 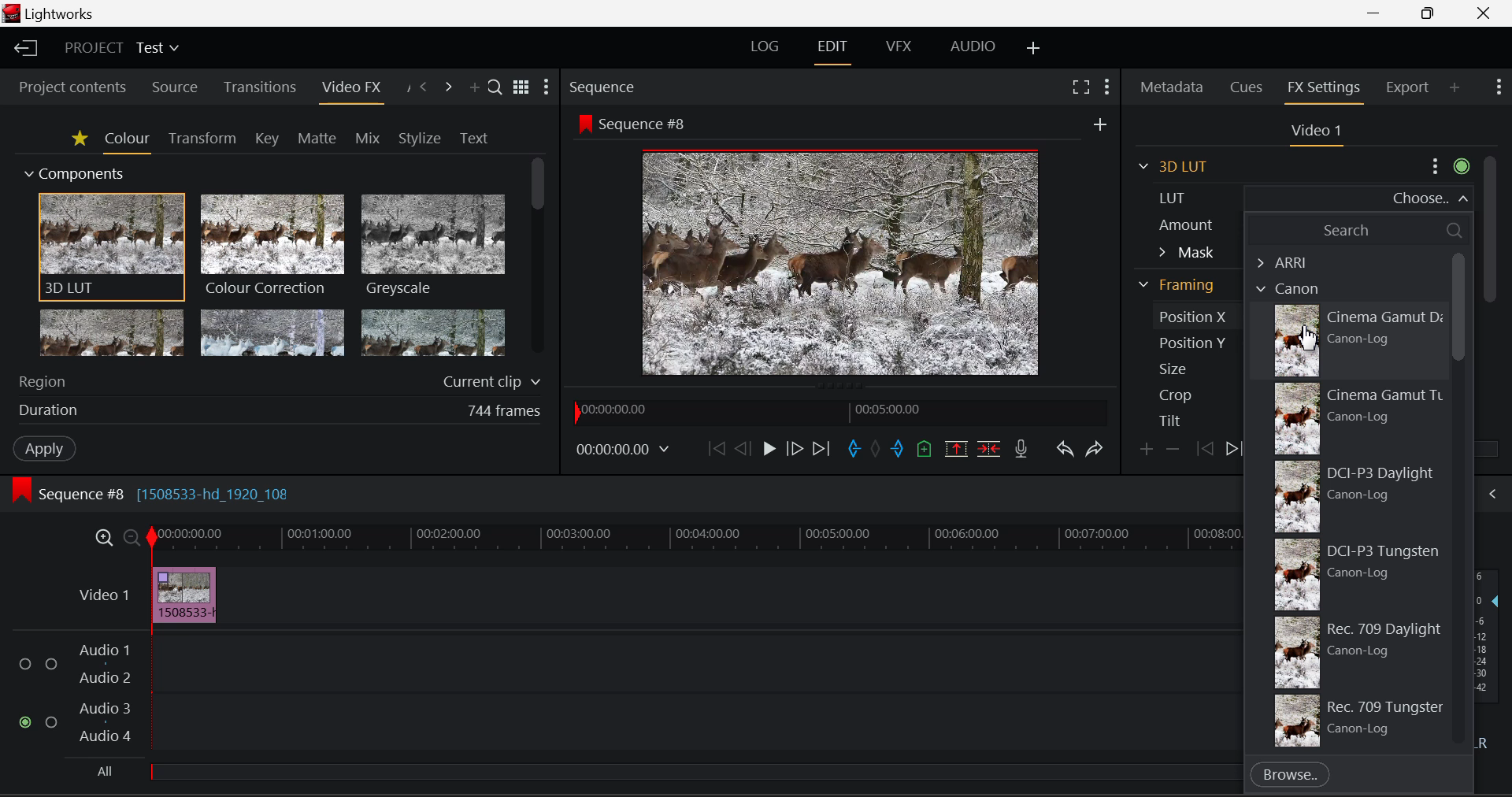 What do you see at coordinates (123, 46) in the screenshot?
I see `Project Title` at bounding box center [123, 46].